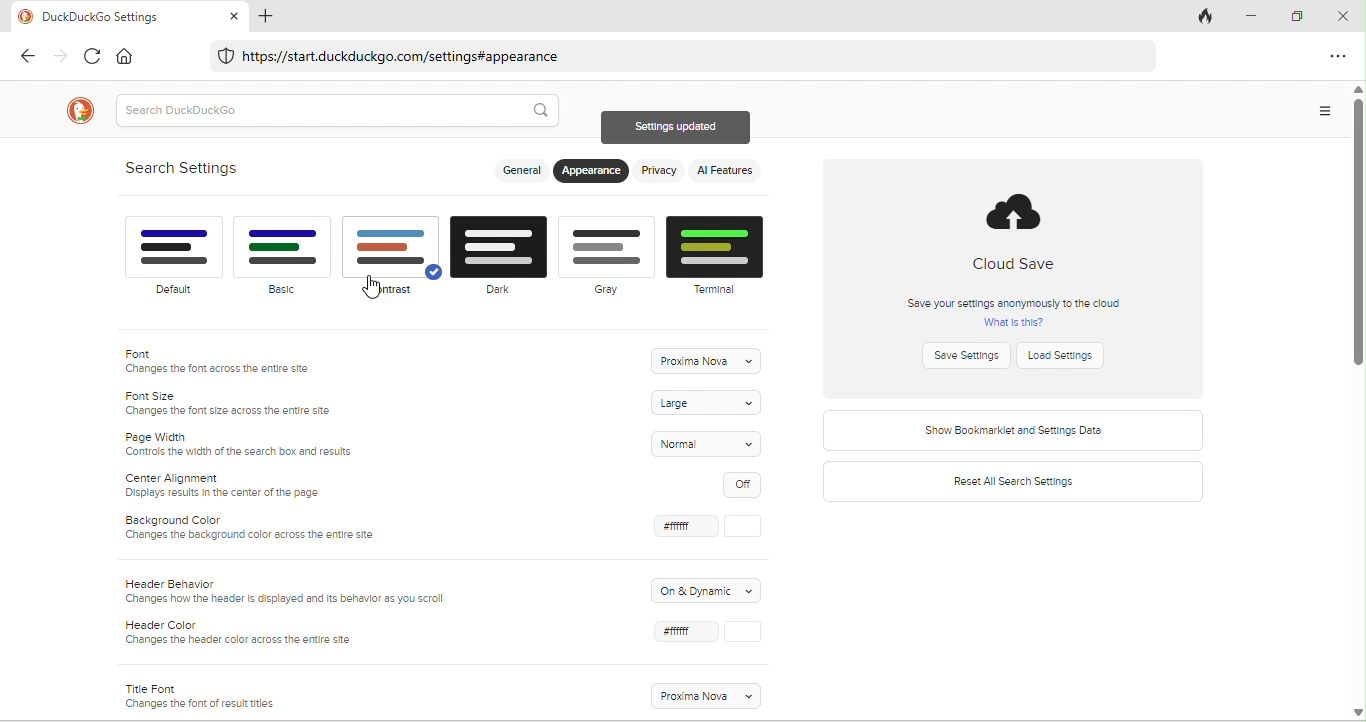 The image size is (1366, 722). I want to click on forward, so click(59, 56).